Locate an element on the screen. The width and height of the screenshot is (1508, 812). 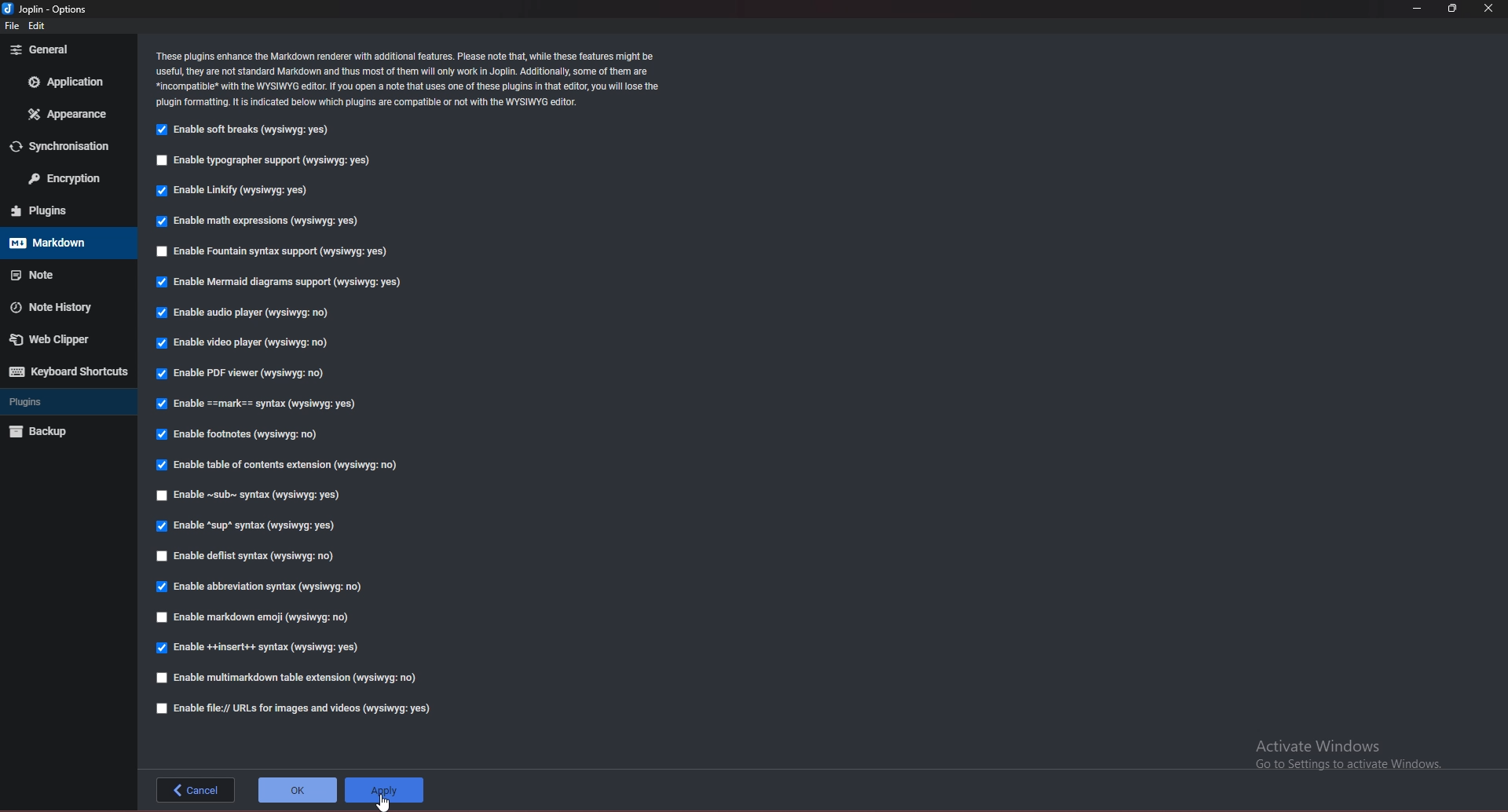
plugins is located at coordinates (67, 212).